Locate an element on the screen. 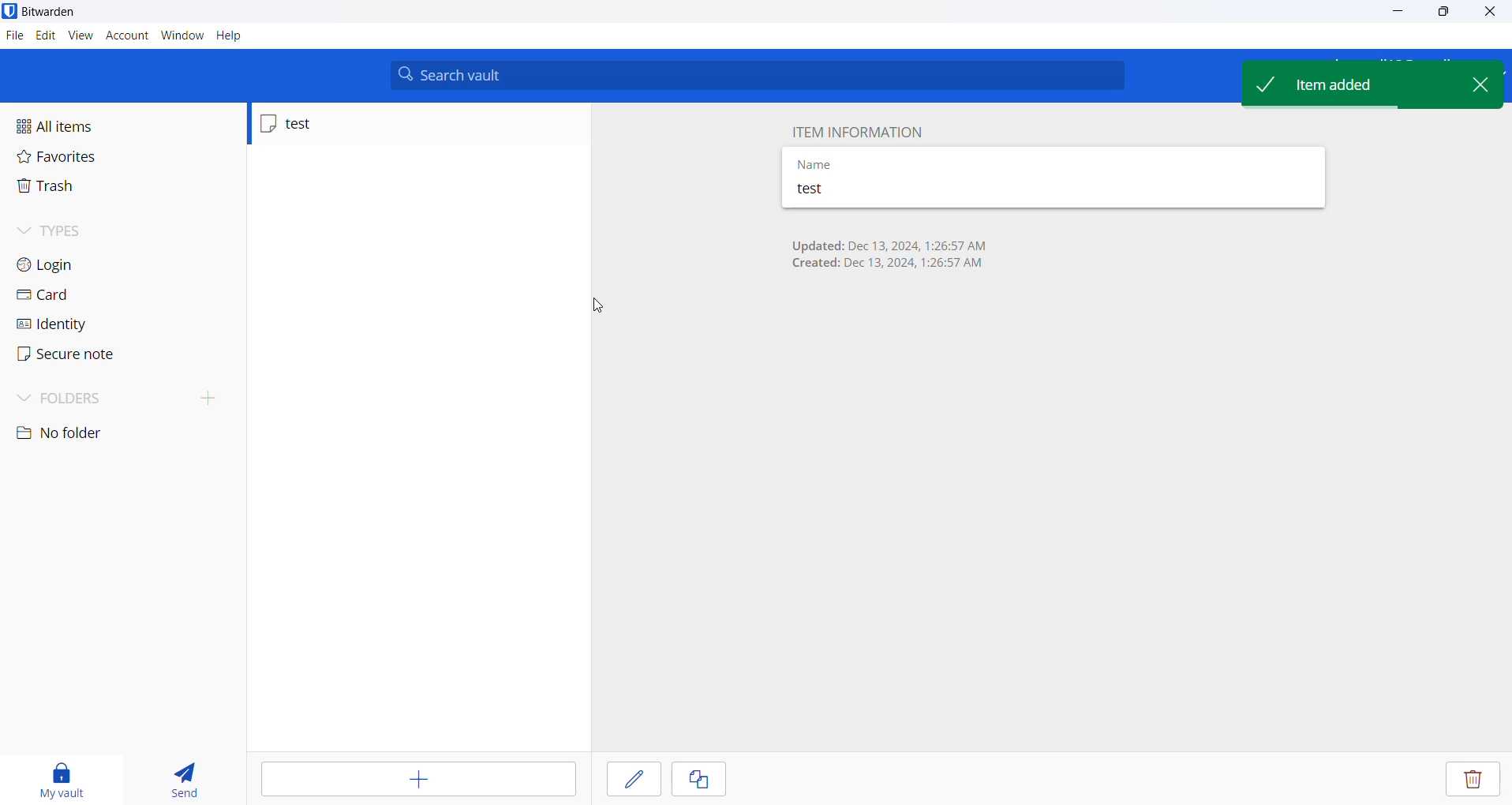 The width and height of the screenshot is (1512, 805). name heading is located at coordinates (849, 162).